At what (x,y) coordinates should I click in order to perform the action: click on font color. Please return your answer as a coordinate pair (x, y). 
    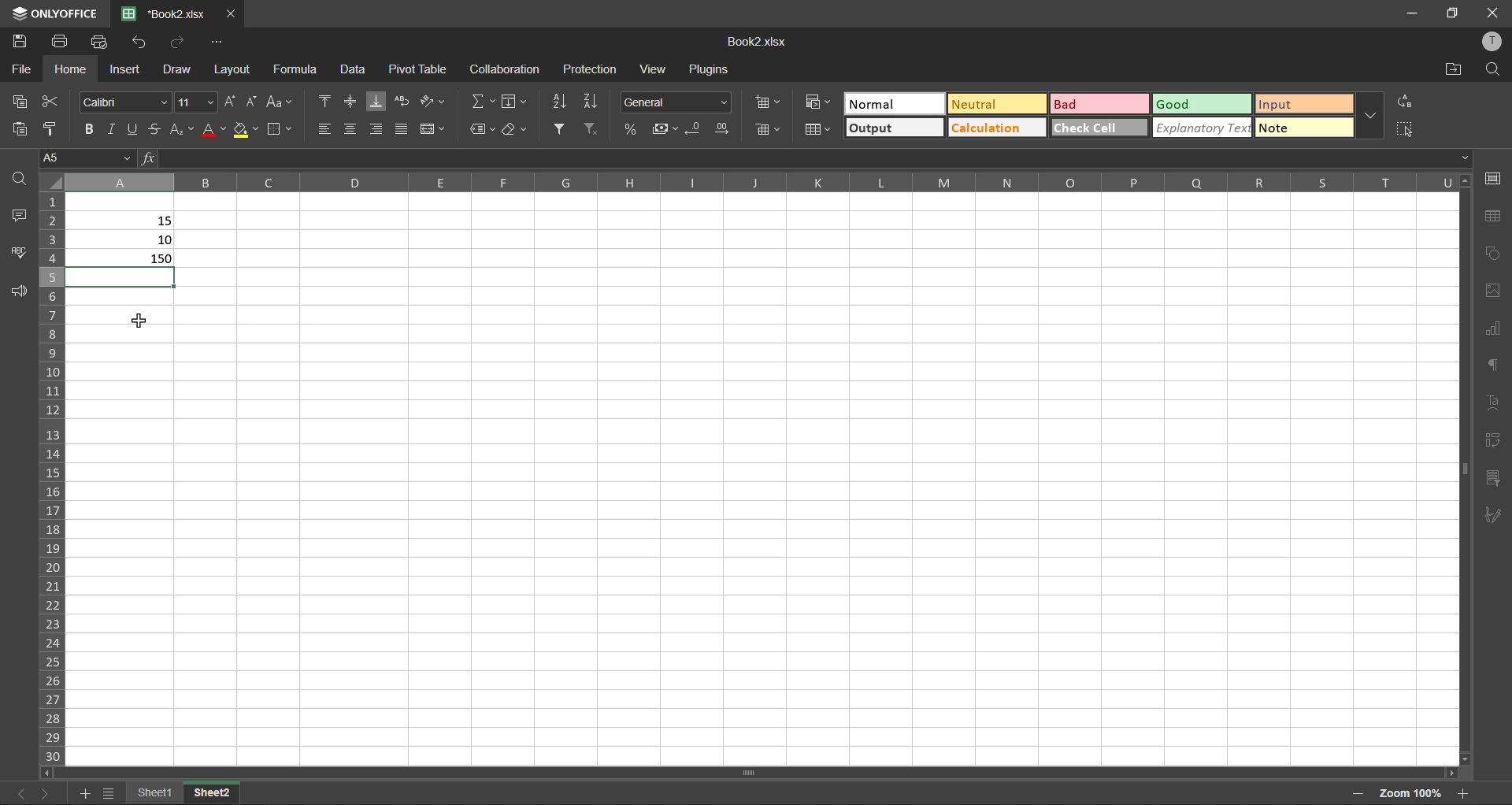
    Looking at the image, I should click on (213, 127).